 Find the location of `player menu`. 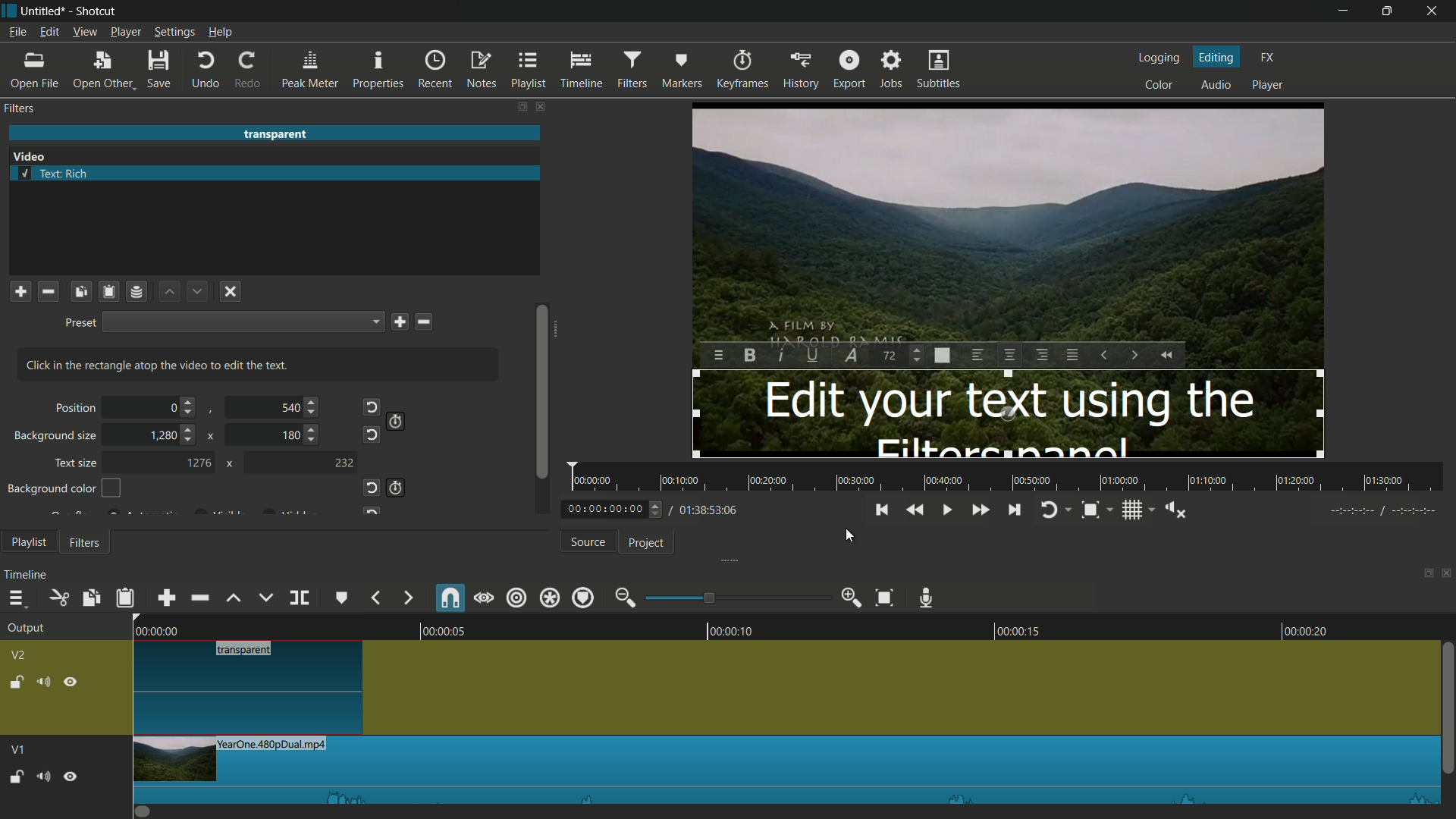

player menu is located at coordinates (126, 32).